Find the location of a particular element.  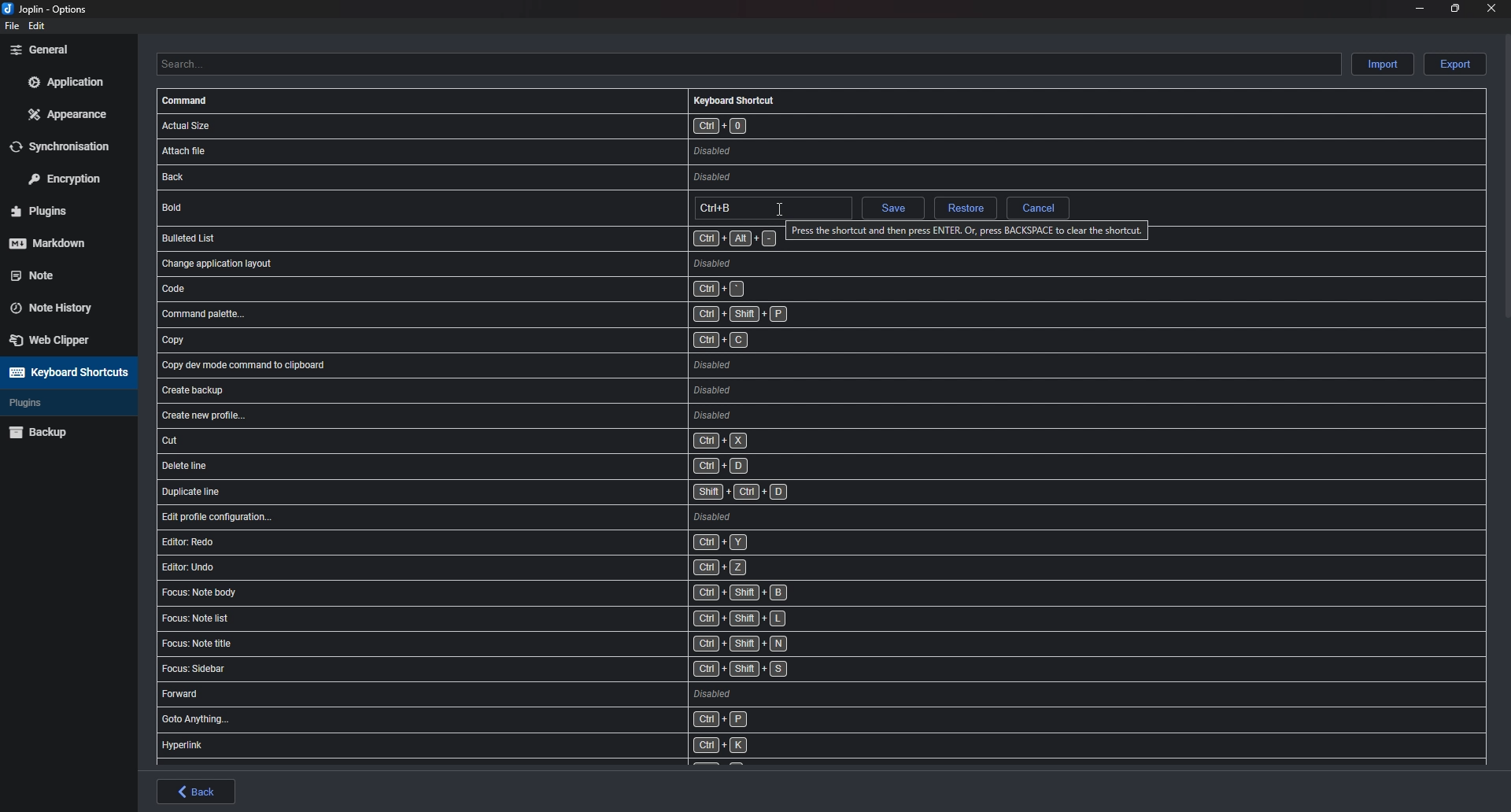

shortcut is located at coordinates (519, 695).